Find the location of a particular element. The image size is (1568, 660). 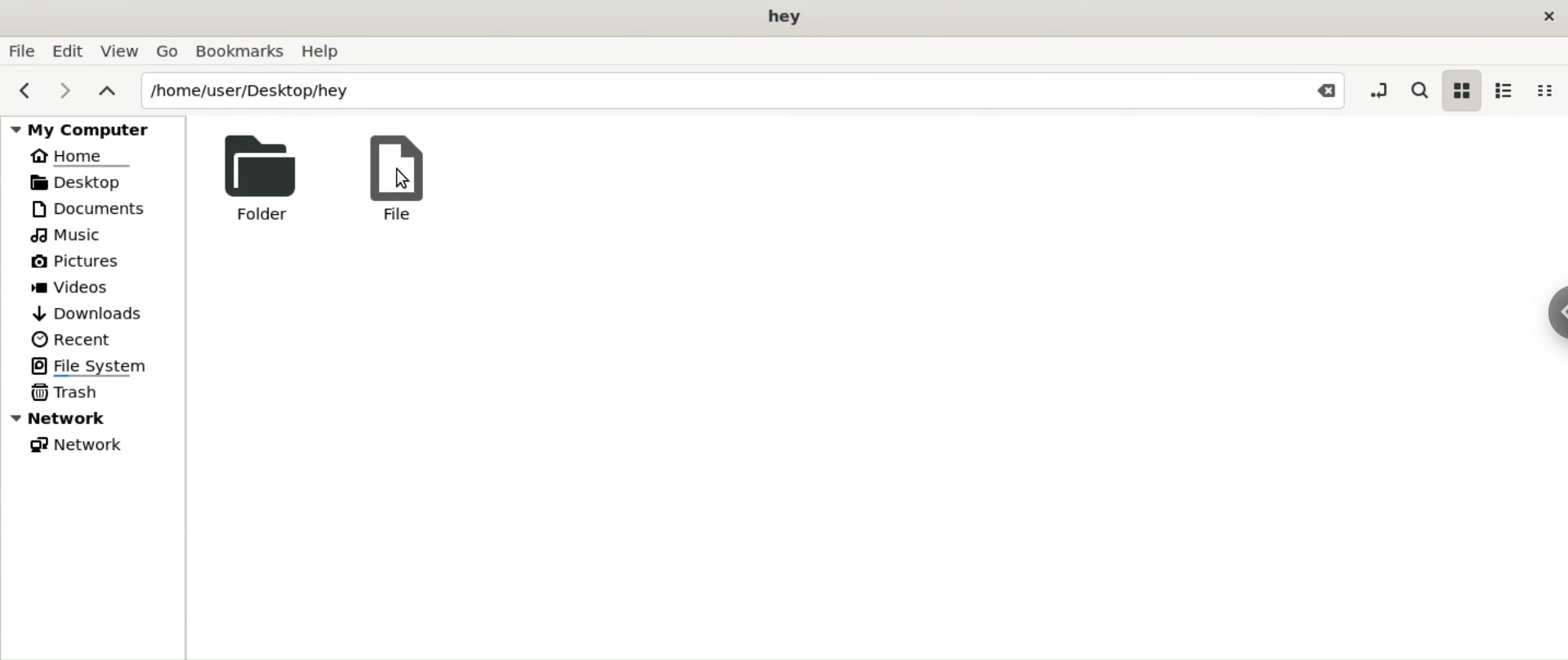

Pictures is located at coordinates (77, 258).